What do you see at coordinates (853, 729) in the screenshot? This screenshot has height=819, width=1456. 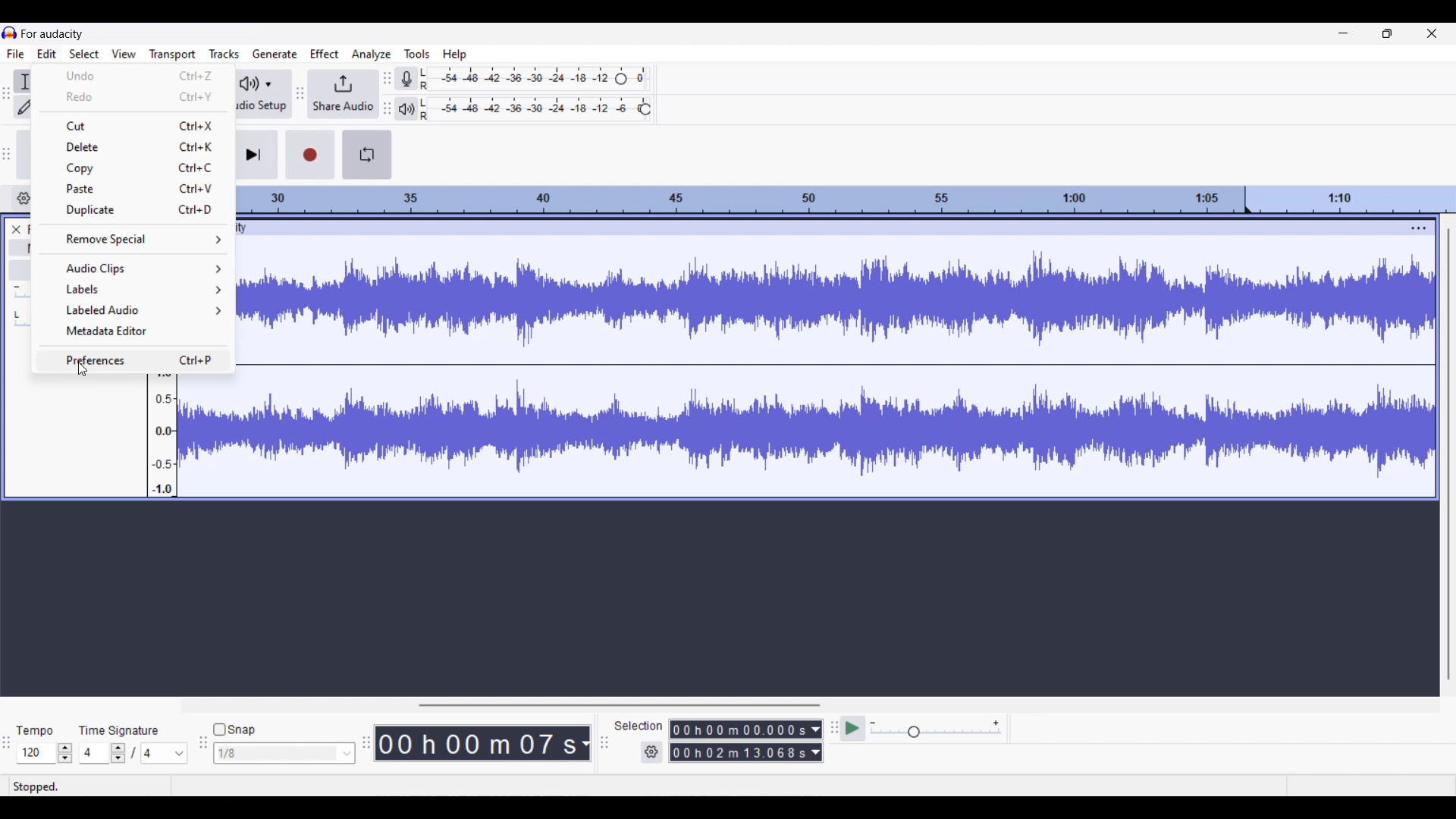 I see `Play at speed/Play at speed once` at bounding box center [853, 729].